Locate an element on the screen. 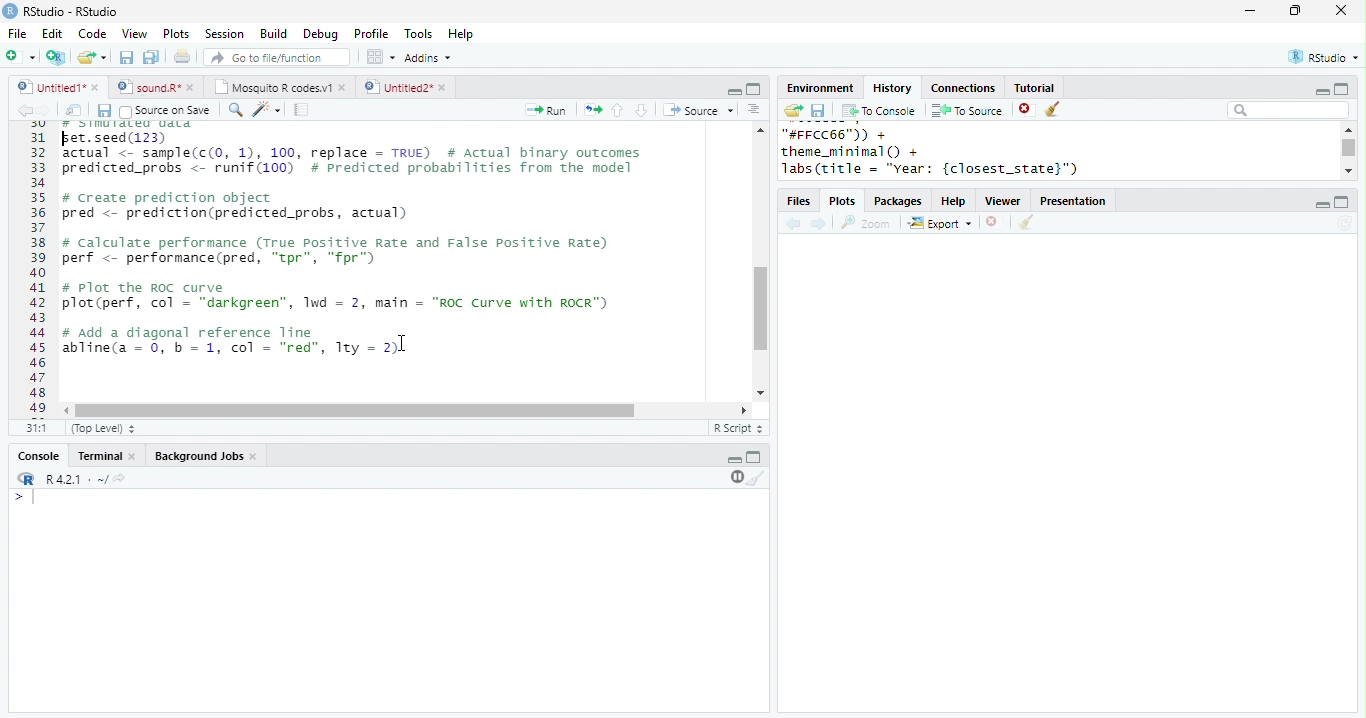 The width and height of the screenshot is (1366, 718). help is located at coordinates (954, 202).